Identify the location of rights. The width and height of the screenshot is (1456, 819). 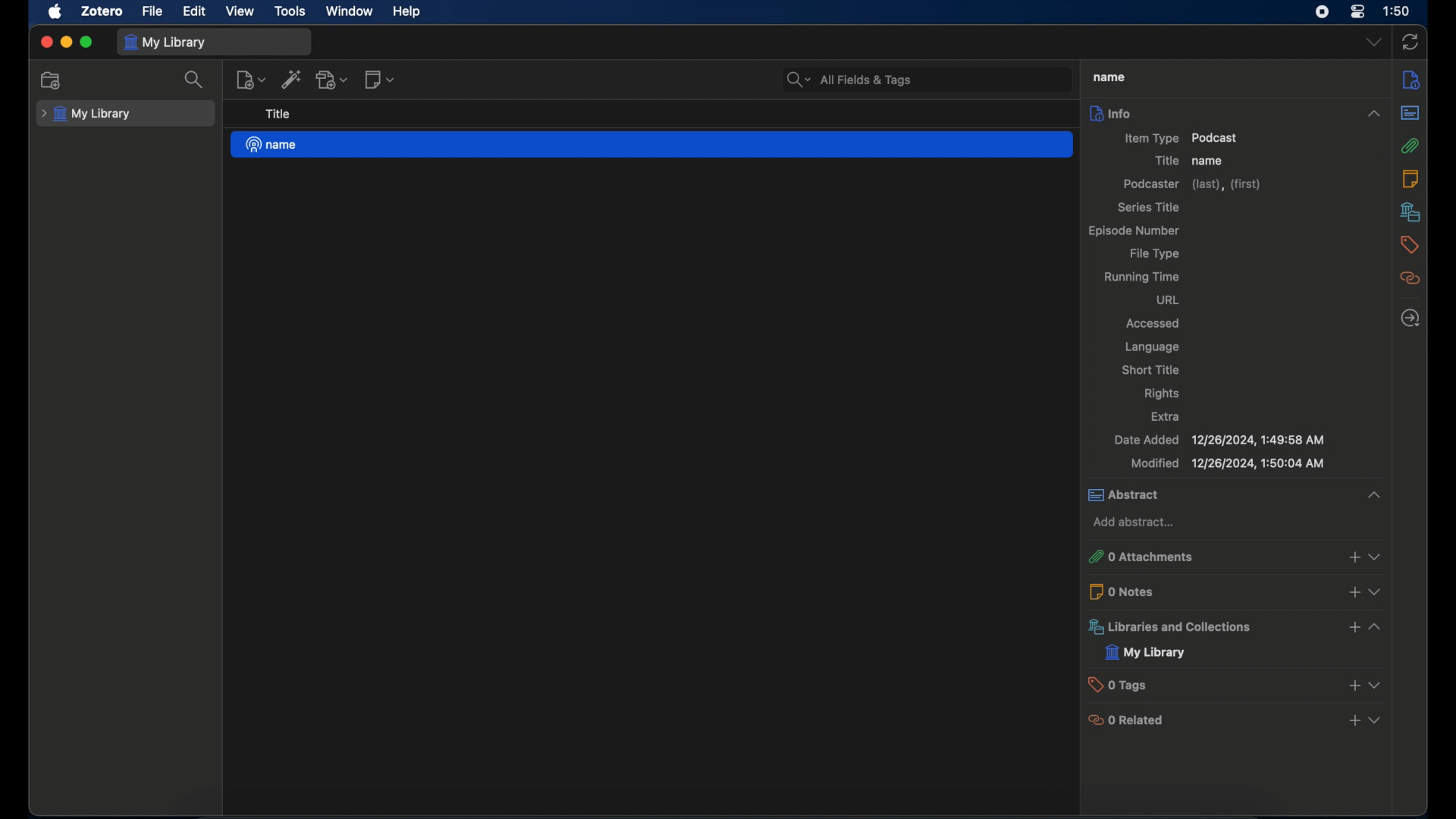
(1164, 393).